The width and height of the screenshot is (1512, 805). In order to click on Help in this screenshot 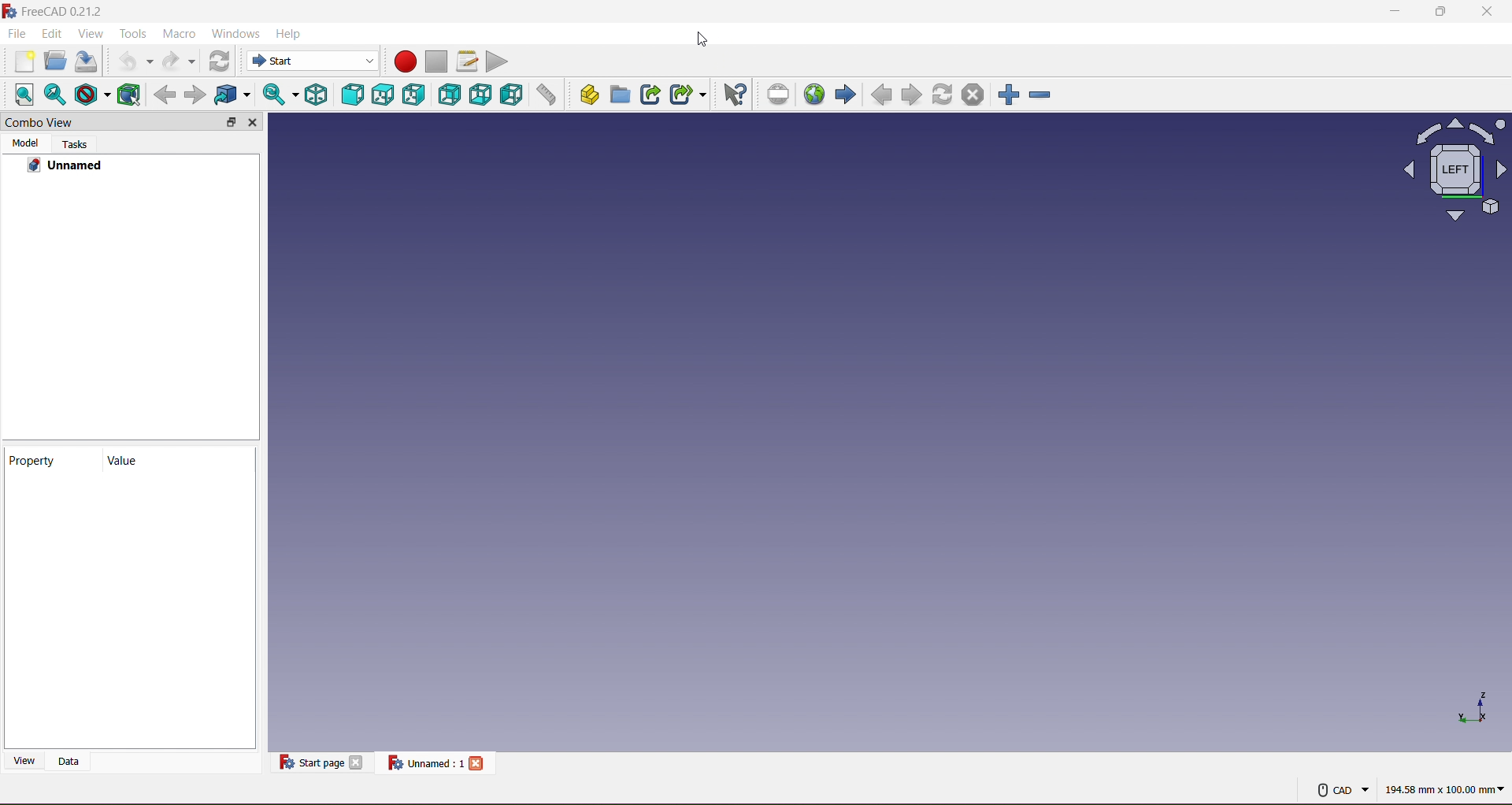, I will do `click(288, 32)`.